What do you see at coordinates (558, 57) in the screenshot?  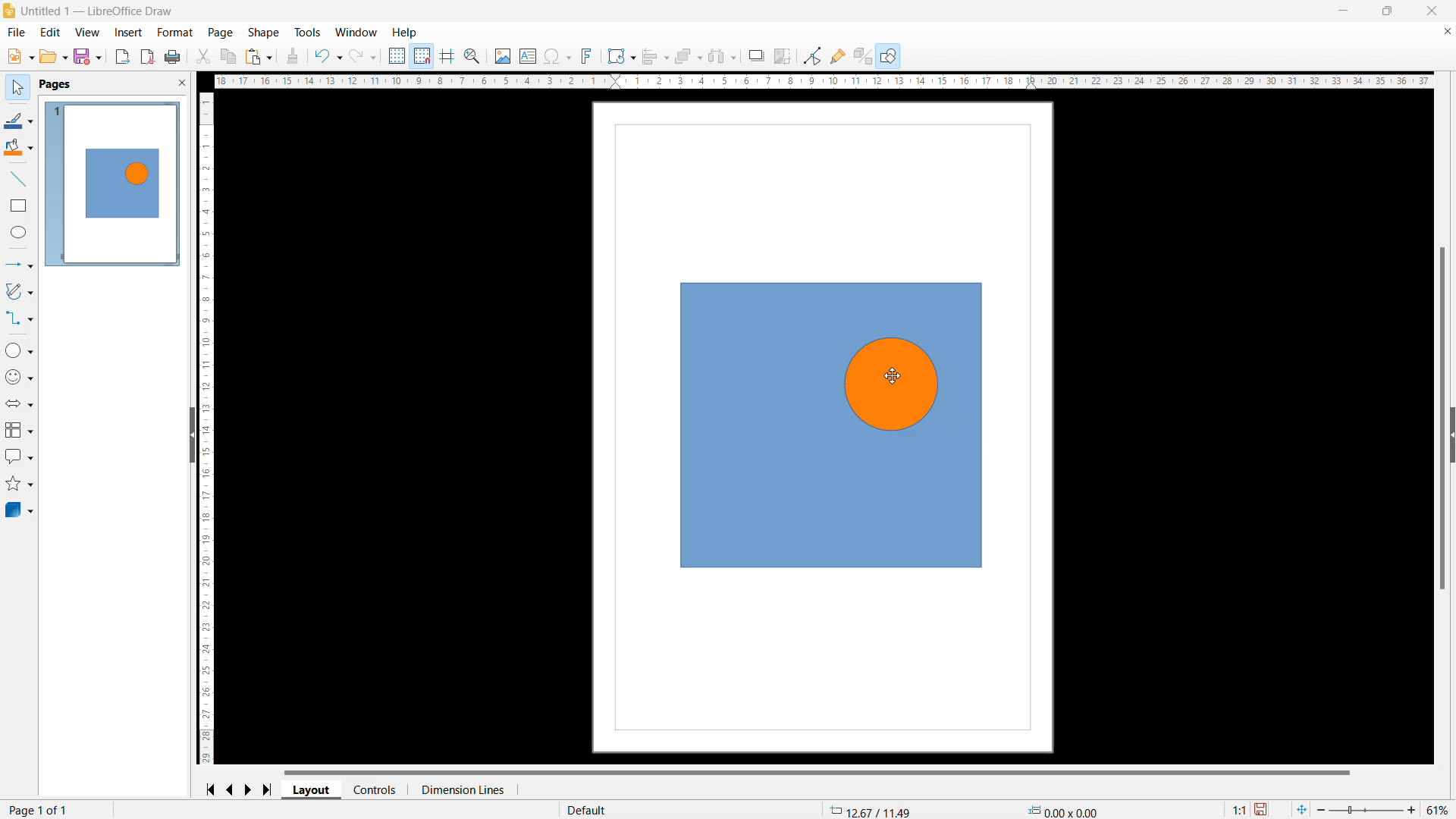 I see `insert special characters` at bounding box center [558, 57].